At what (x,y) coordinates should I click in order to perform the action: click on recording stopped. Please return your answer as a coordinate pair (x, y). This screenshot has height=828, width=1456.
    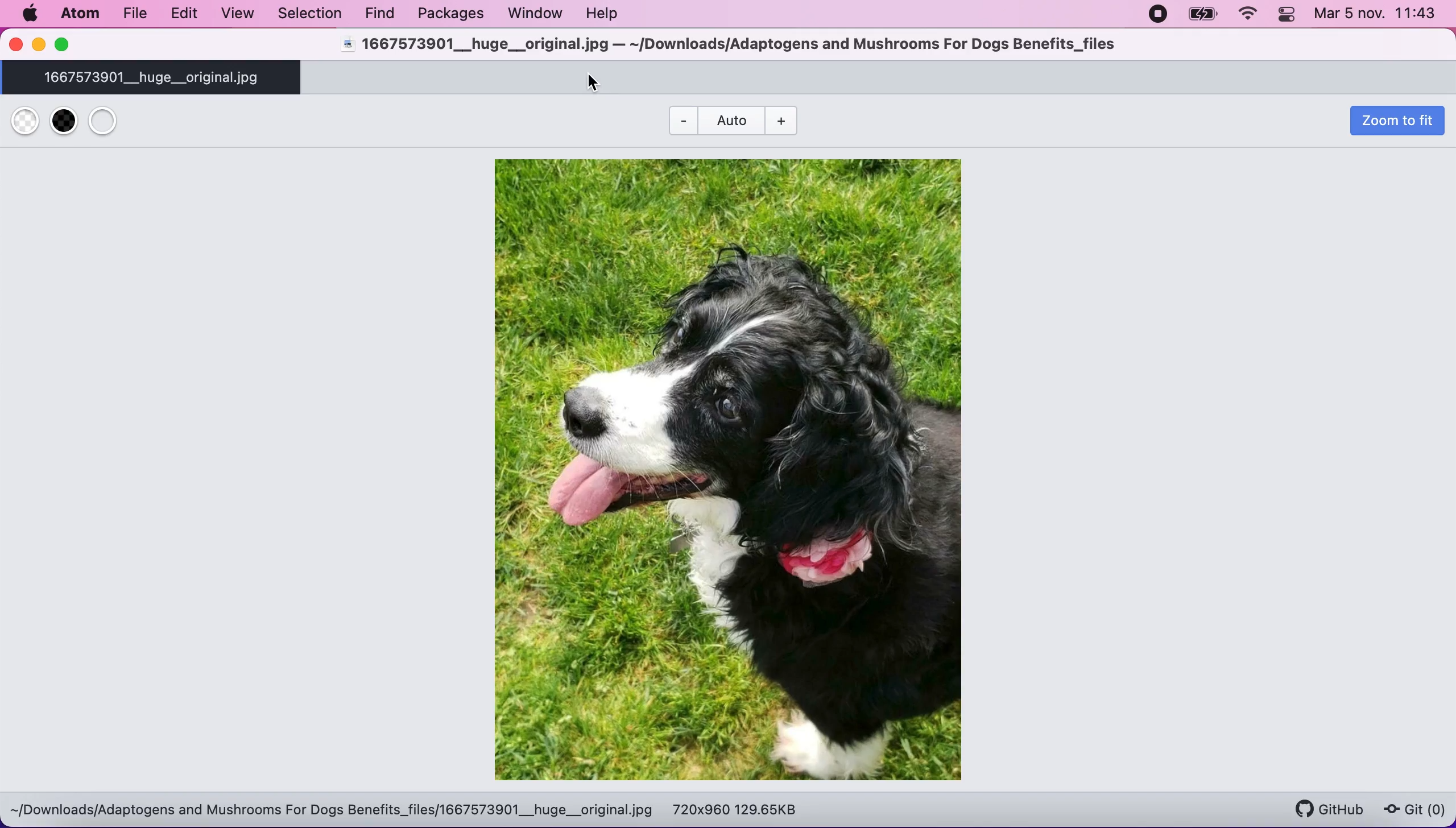
    Looking at the image, I should click on (1159, 15).